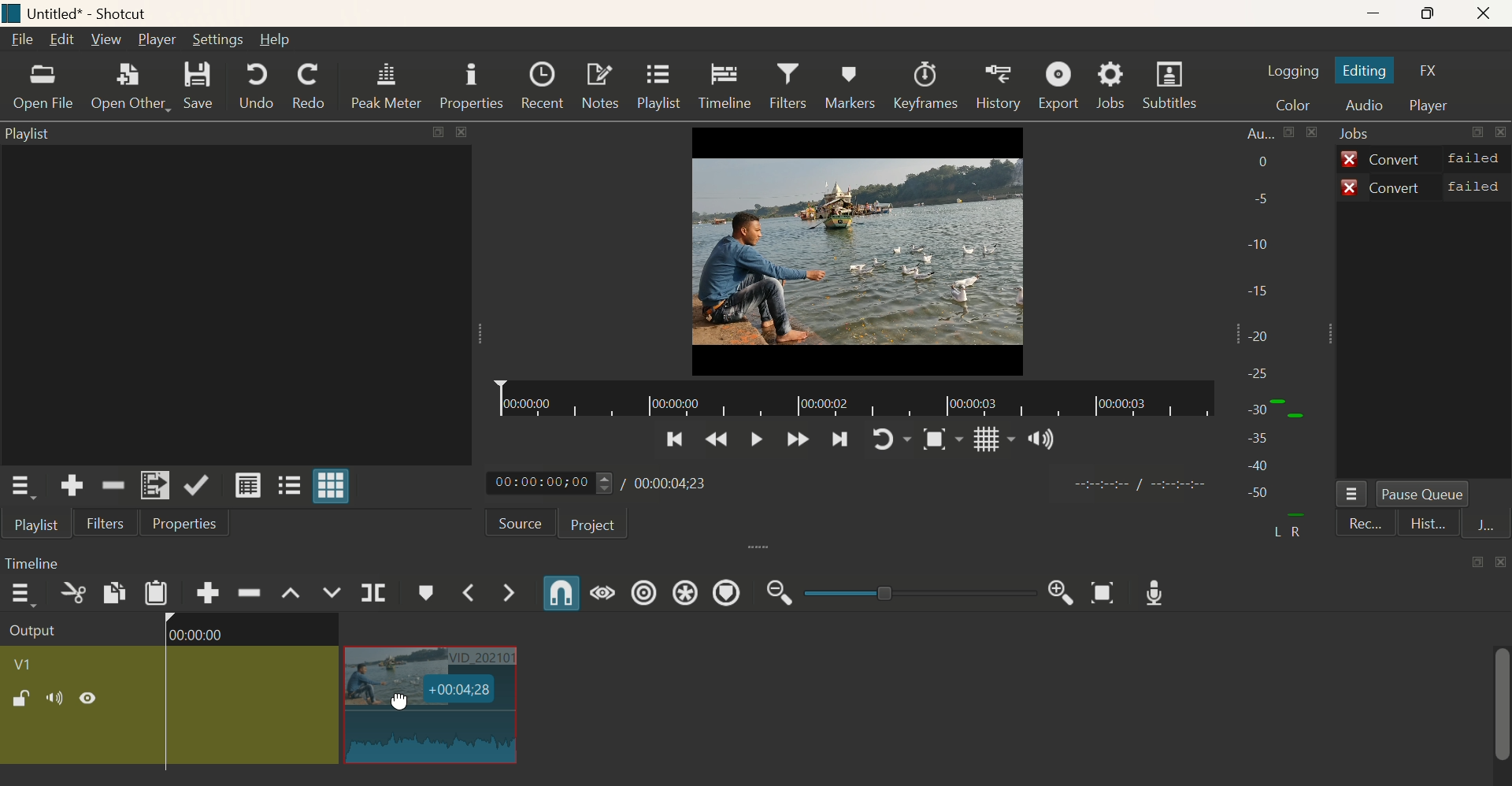 The image size is (1512, 786). I want to click on Play/Pause, so click(752, 444).